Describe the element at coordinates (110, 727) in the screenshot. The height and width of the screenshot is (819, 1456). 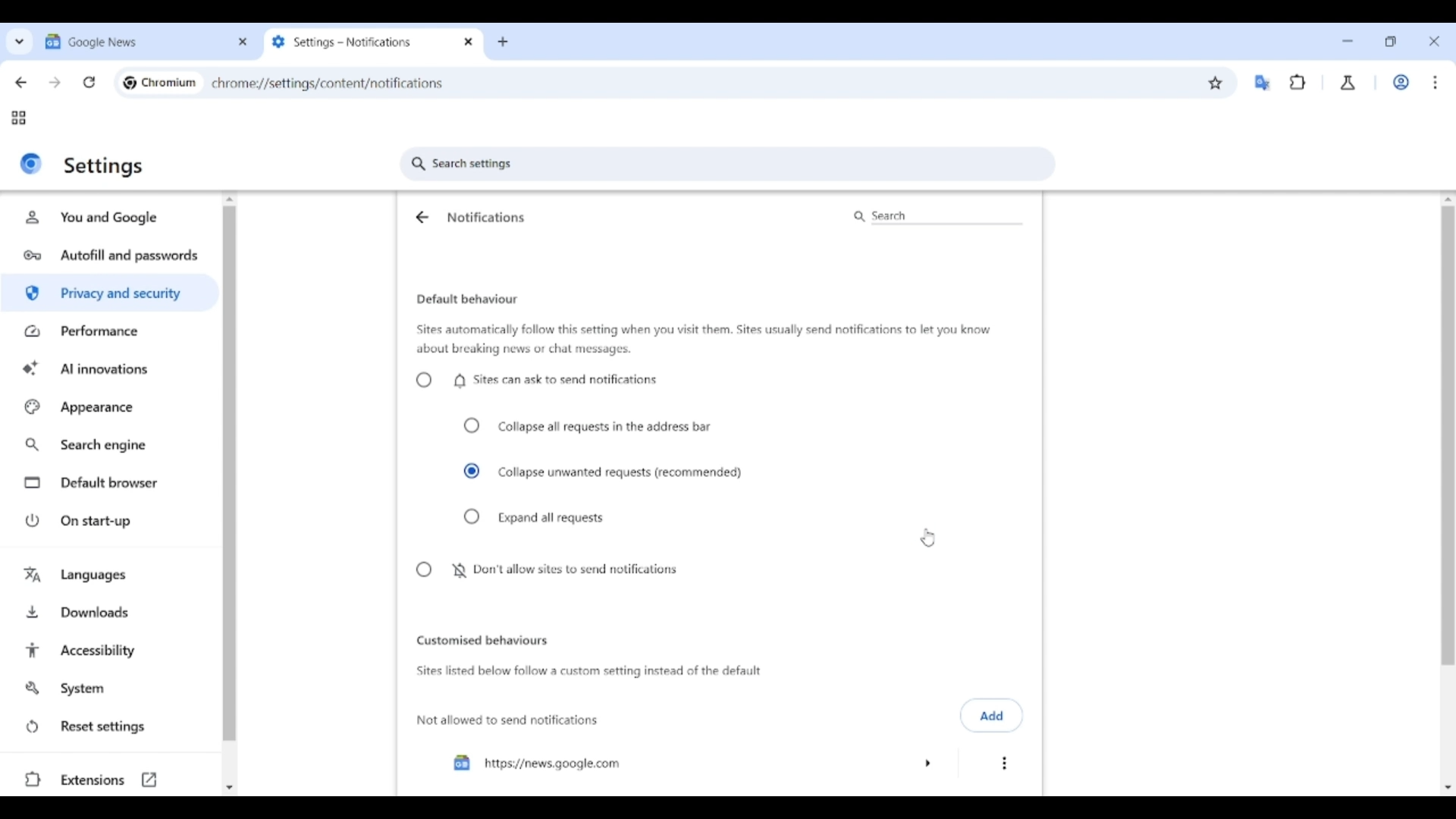
I see `Reset settings` at that location.